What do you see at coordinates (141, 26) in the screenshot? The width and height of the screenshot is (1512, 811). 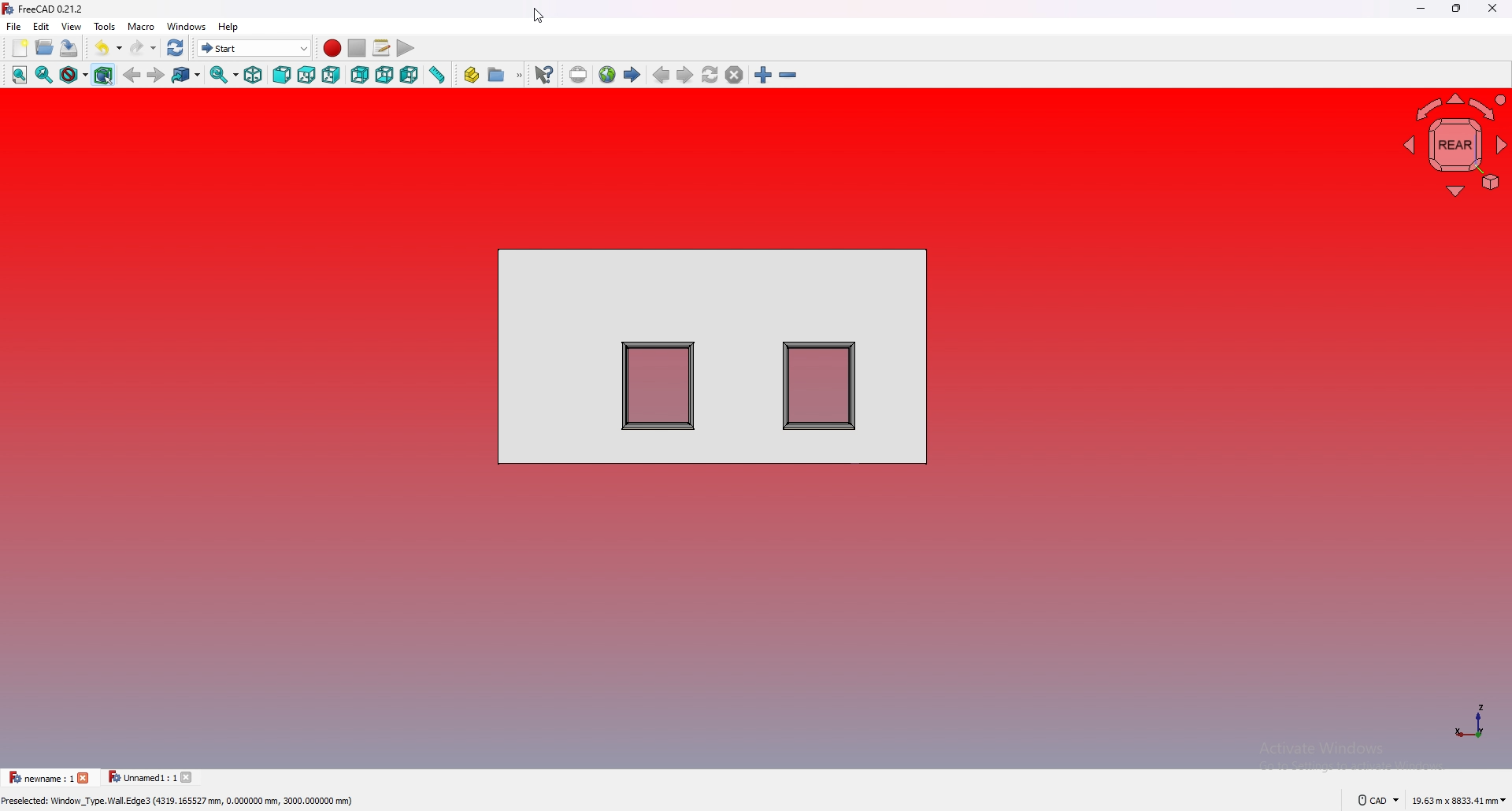 I see `macro` at bounding box center [141, 26].